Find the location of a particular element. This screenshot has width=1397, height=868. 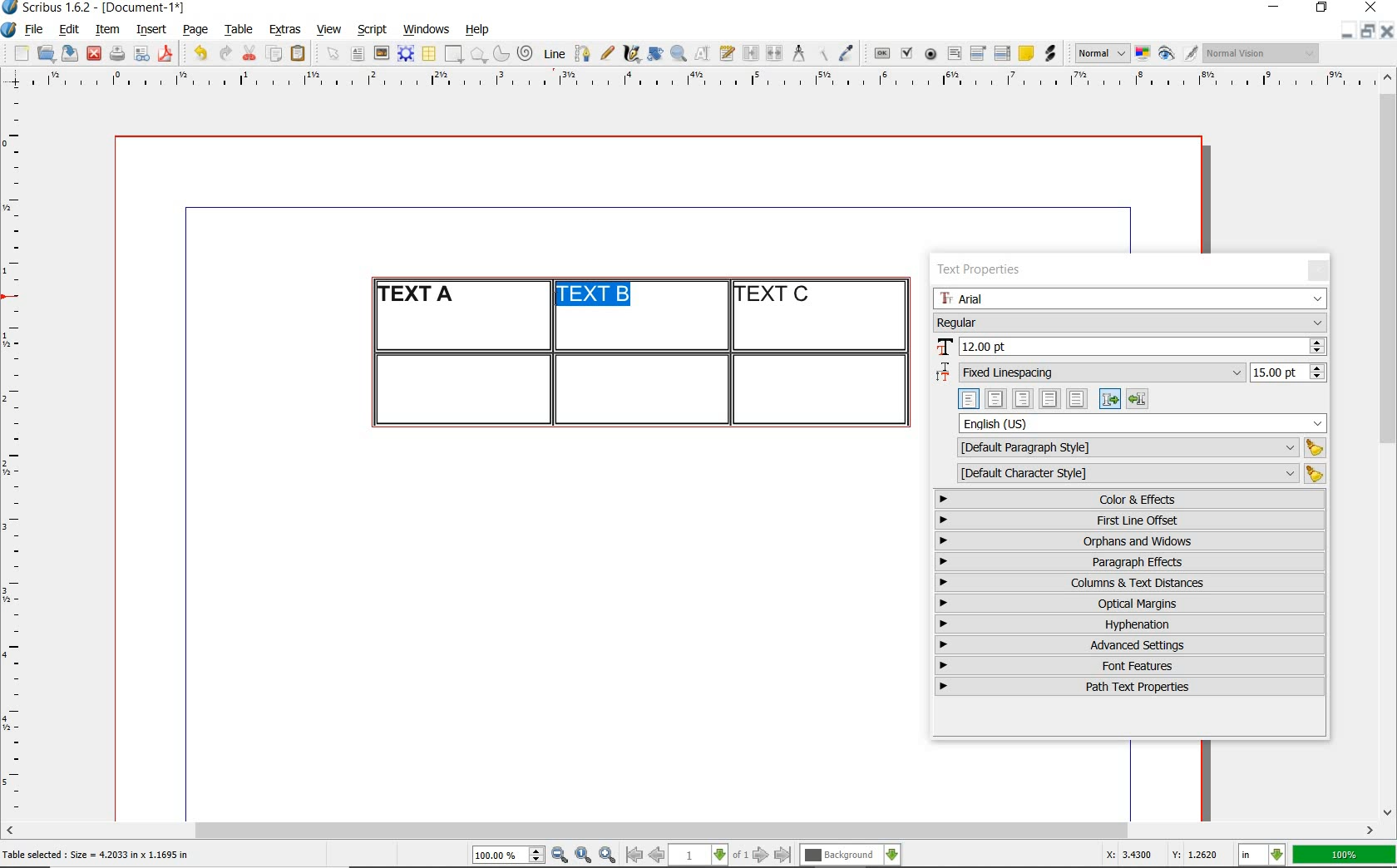

ruler is located at coordinates (709, 81).